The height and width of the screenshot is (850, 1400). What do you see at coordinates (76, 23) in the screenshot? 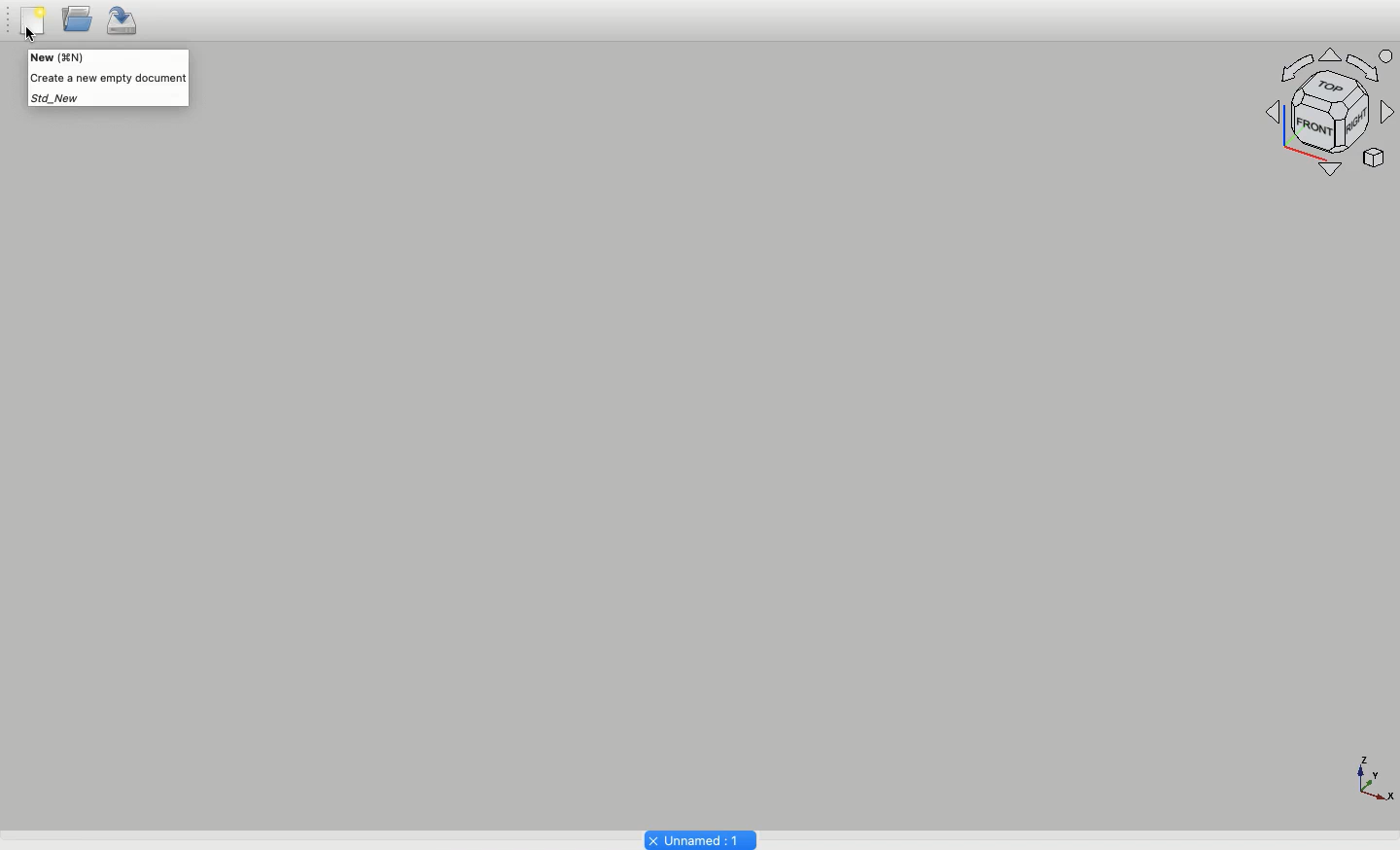
I see `Open` at bounding box center [76, 23].